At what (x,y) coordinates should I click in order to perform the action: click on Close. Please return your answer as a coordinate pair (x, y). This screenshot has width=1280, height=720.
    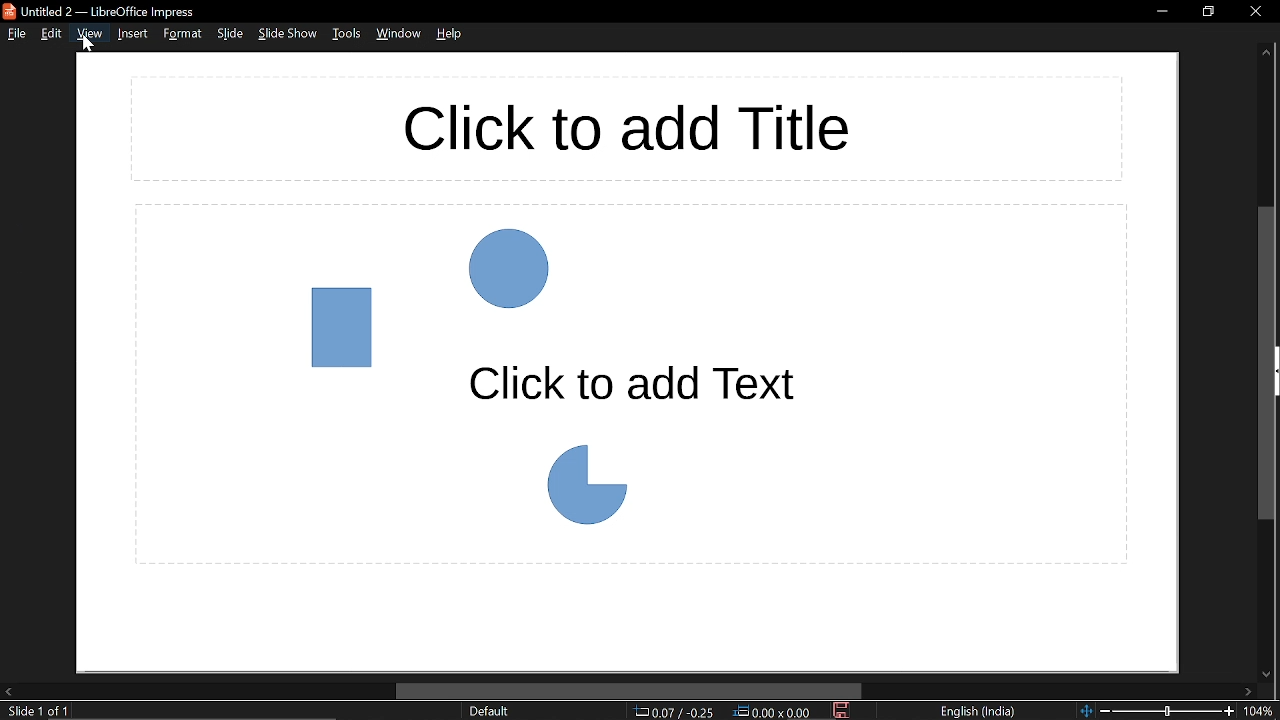
    Looking at the image, I should click on (1254, 11).